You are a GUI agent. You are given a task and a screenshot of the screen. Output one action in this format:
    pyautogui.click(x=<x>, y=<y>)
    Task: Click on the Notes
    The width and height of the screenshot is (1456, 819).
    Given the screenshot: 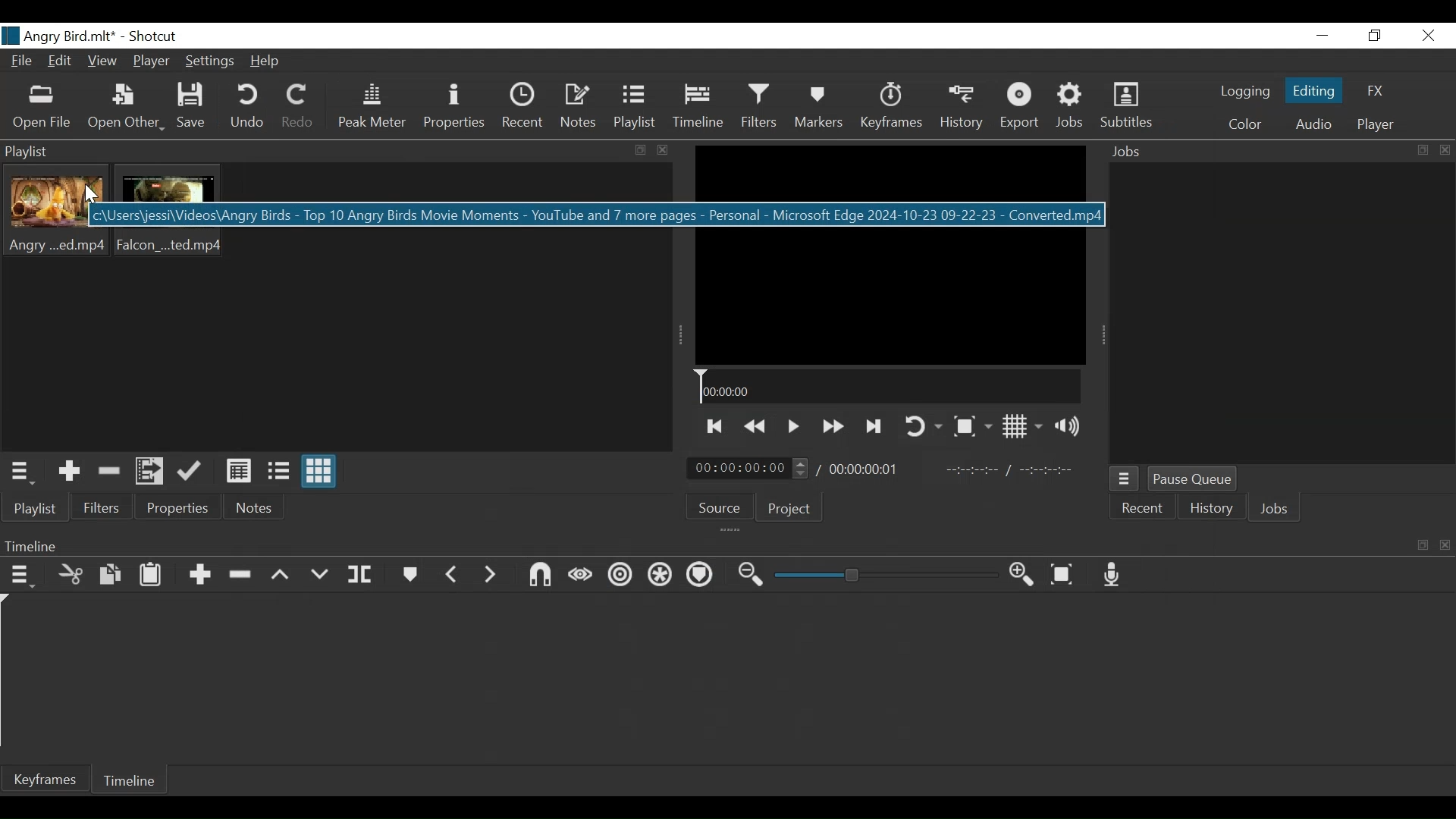 What is the action you would take?
    pyautogui.click(x=256, y=507)
    